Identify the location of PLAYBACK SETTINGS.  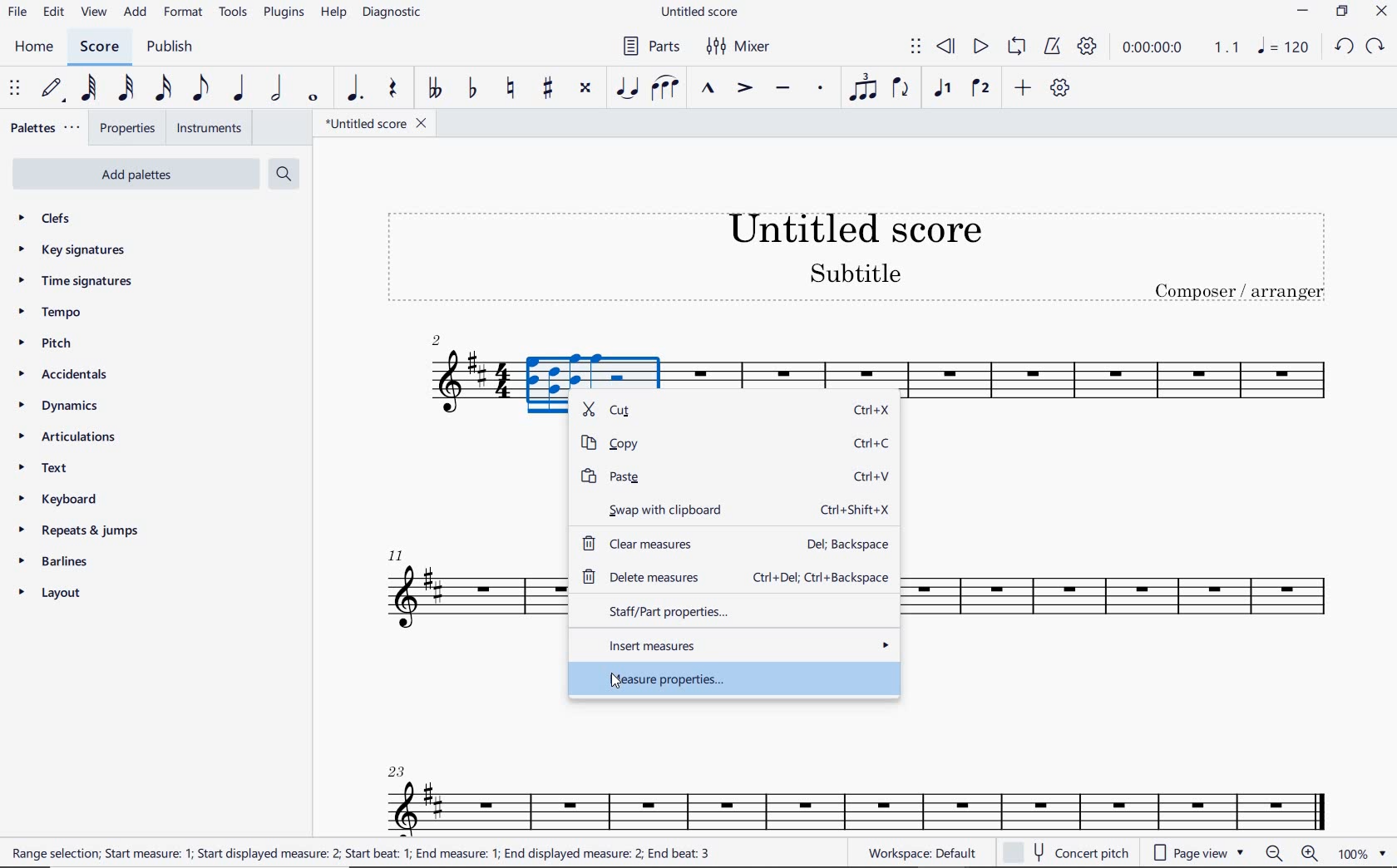
(1087, 47).